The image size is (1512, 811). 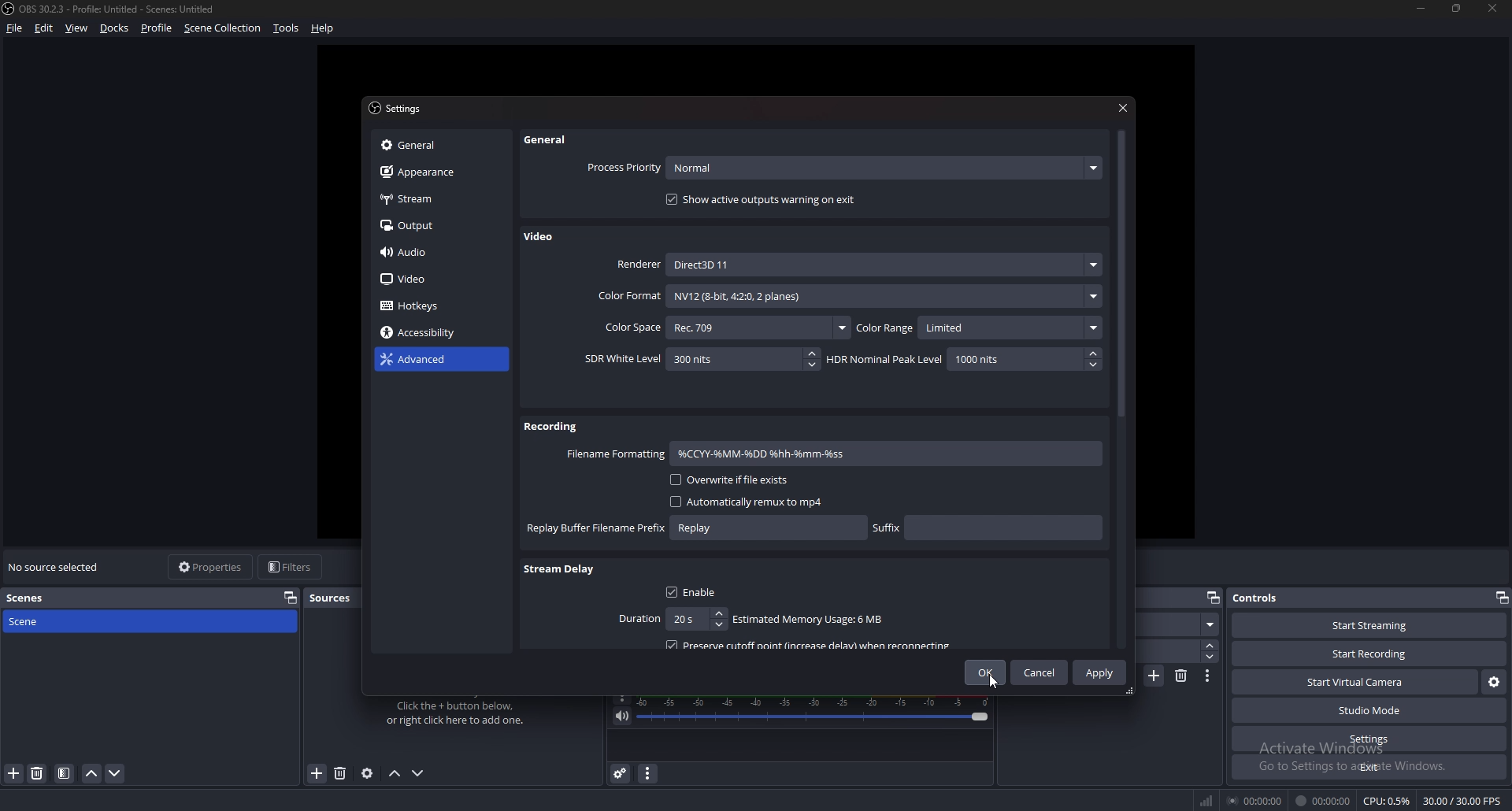 I want to click on profile, so click(x=159, y=28).